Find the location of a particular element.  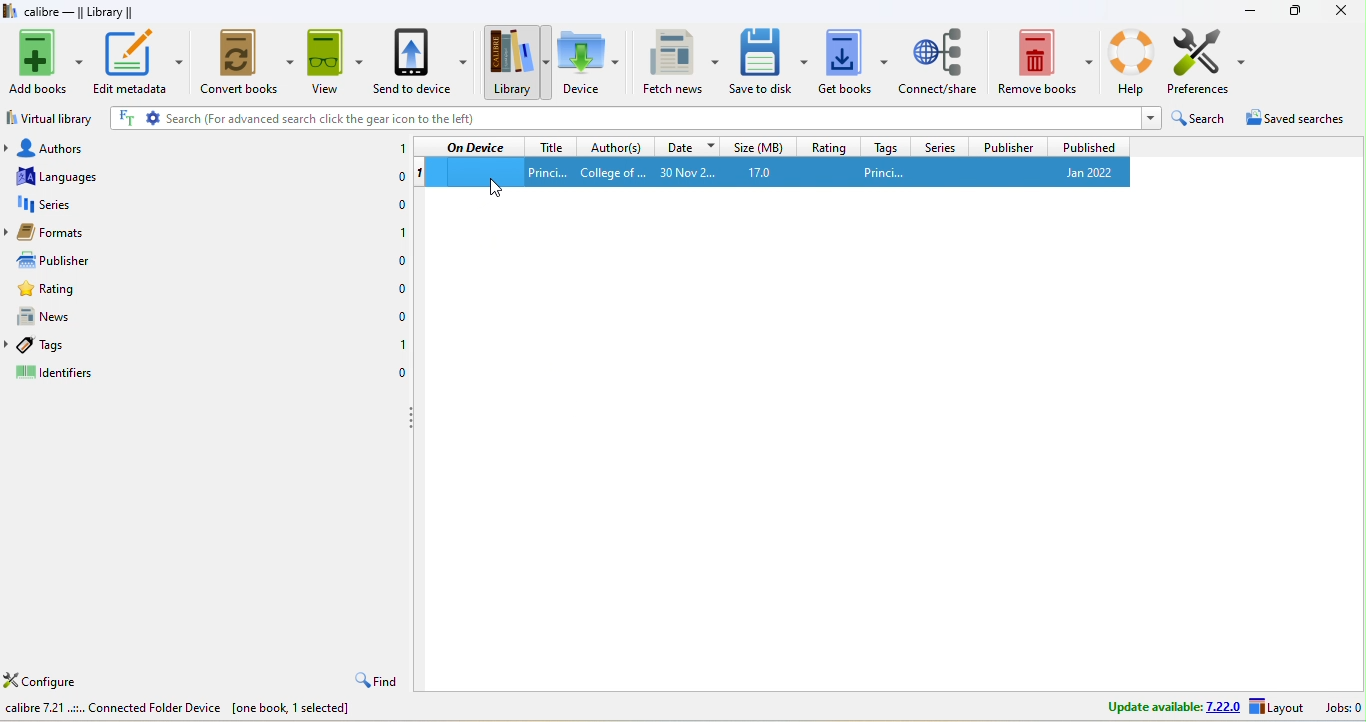

formats is located at coordinates (62, 232).